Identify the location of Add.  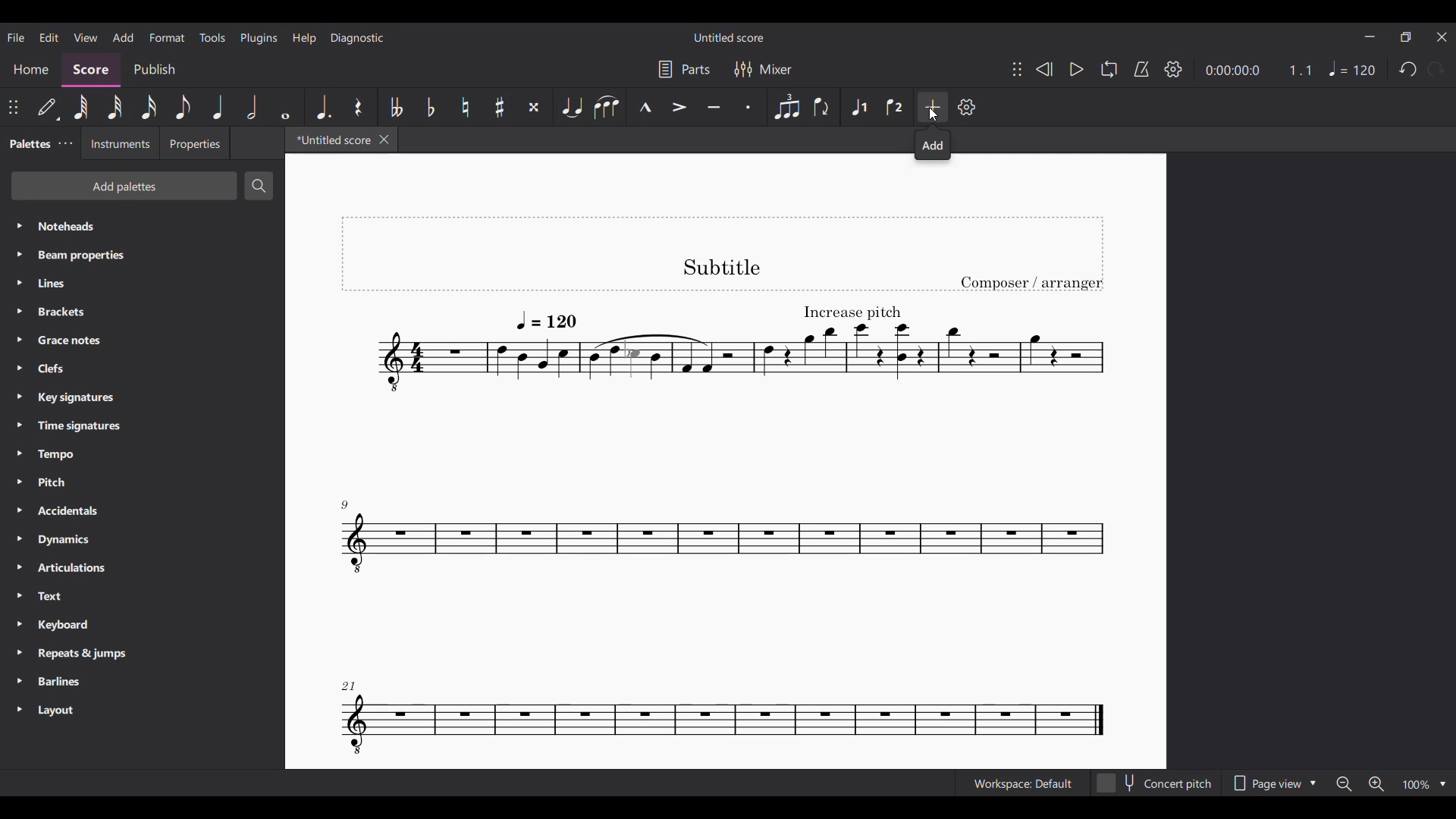
(933, 106).